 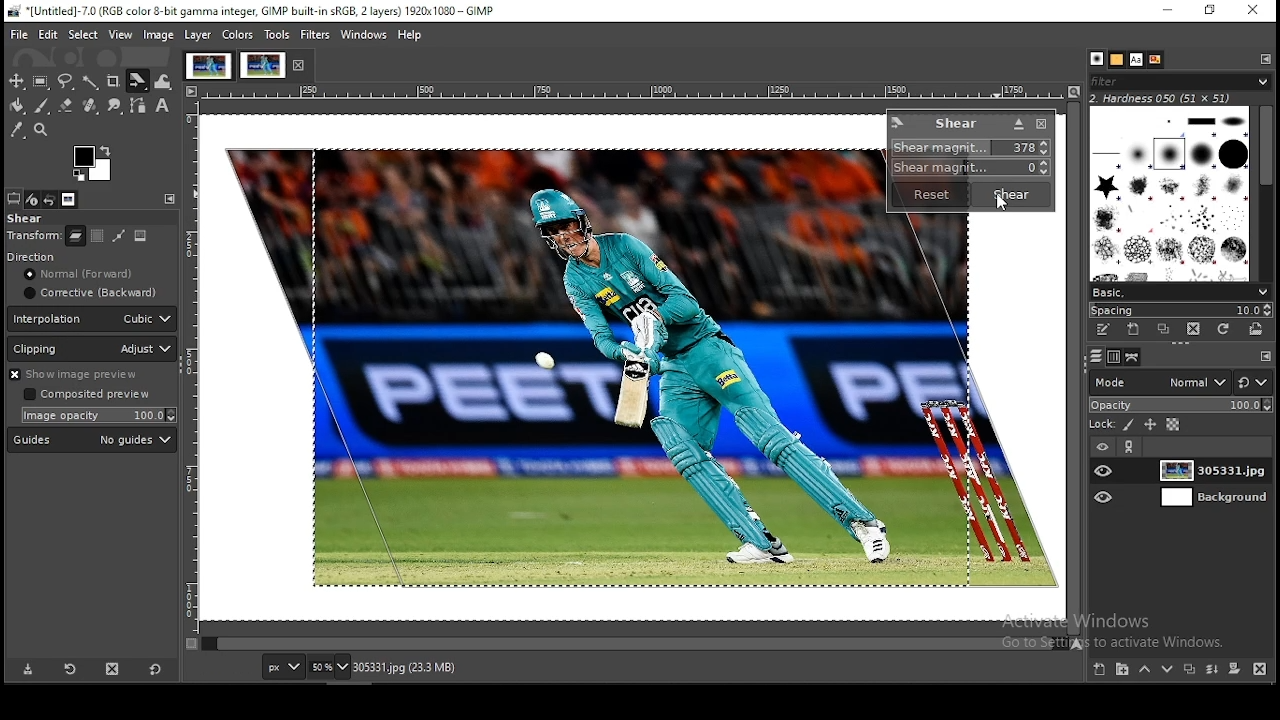 What do you see at coordinates (70, 200) in the screenshot?
I see `images` at bounding box center [70, 200].